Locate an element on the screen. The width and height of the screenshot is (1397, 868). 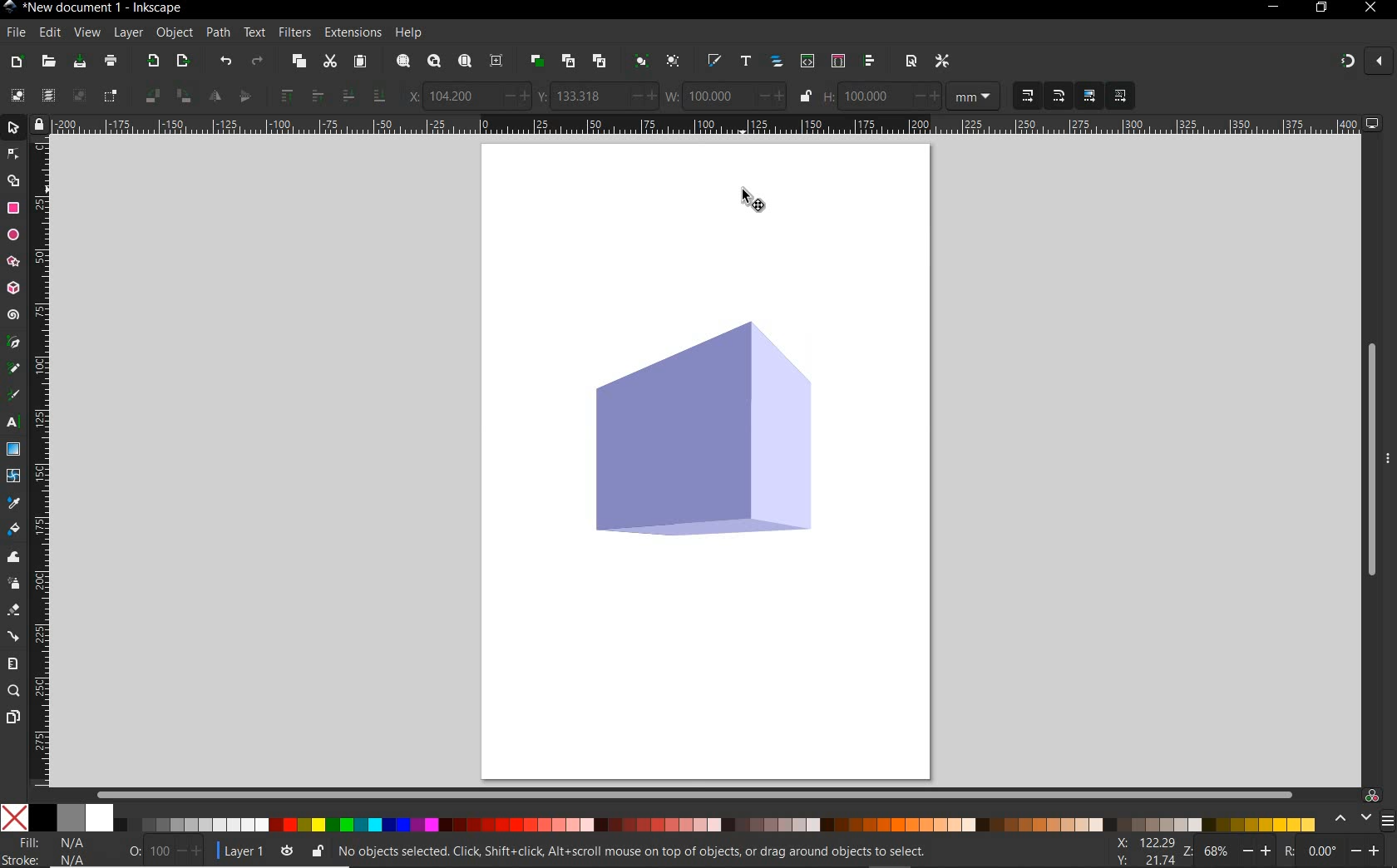
selector tool is located at coordinates (14, 128).